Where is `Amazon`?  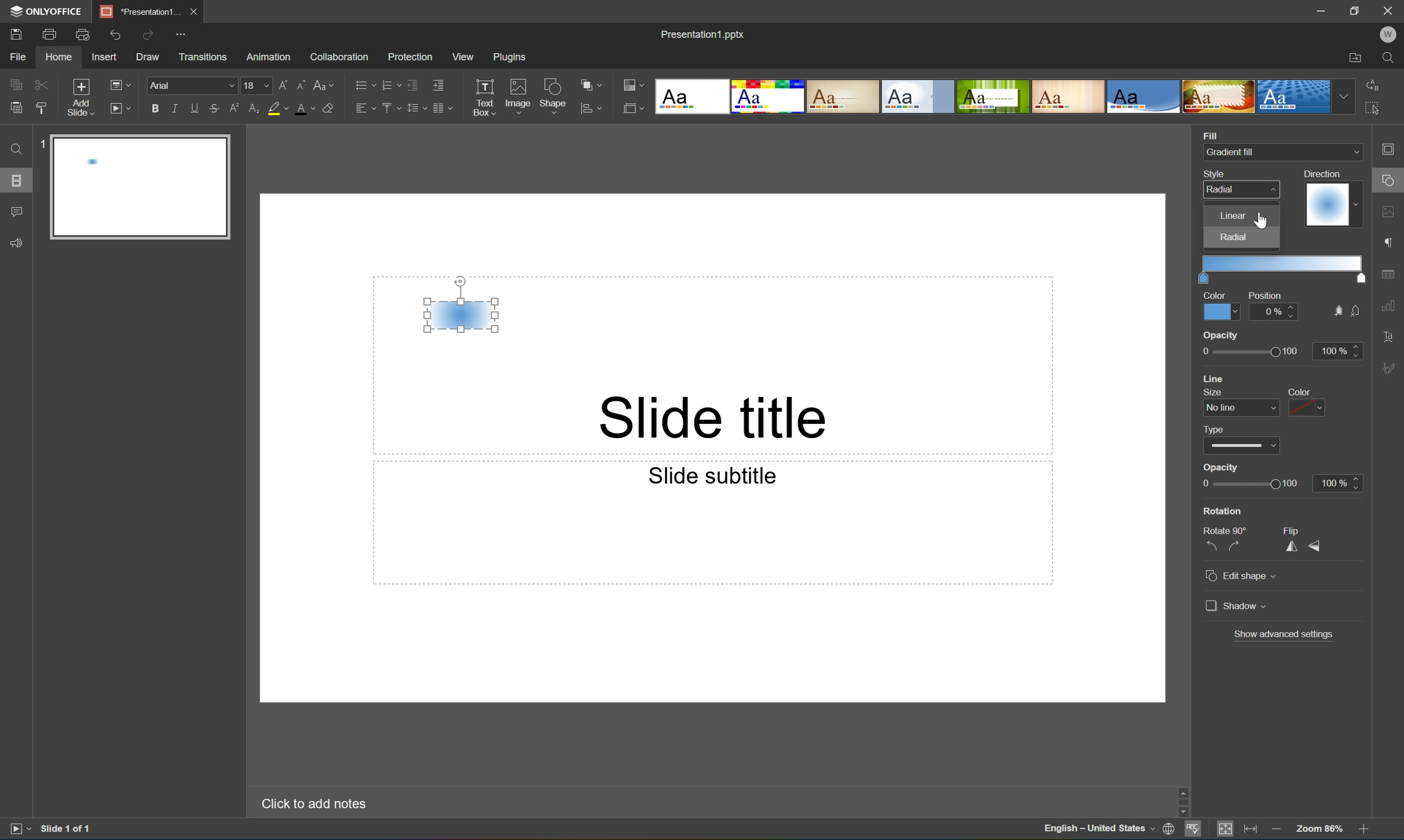 Amazon is located at coordinates (269, 55).